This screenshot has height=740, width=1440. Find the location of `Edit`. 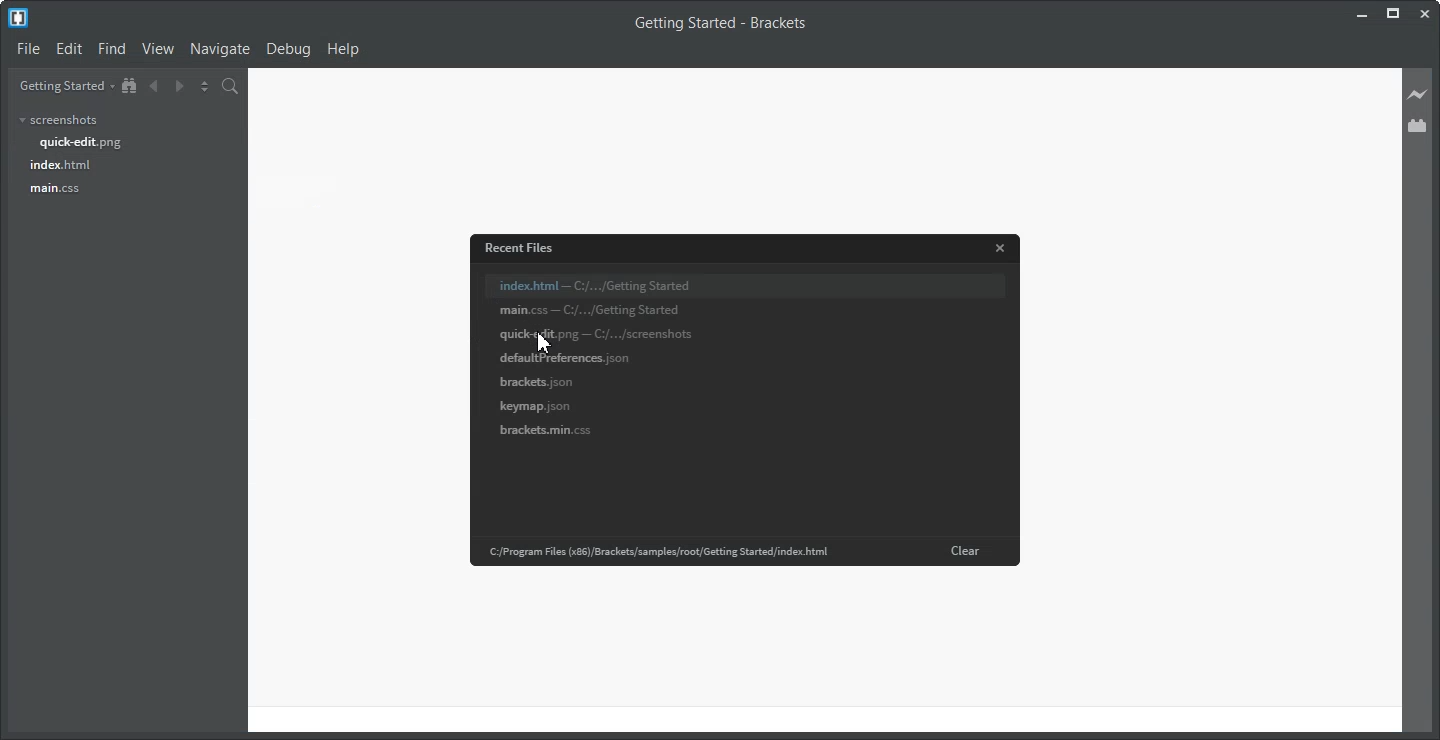

Edit is located at coordinates (70, 48).